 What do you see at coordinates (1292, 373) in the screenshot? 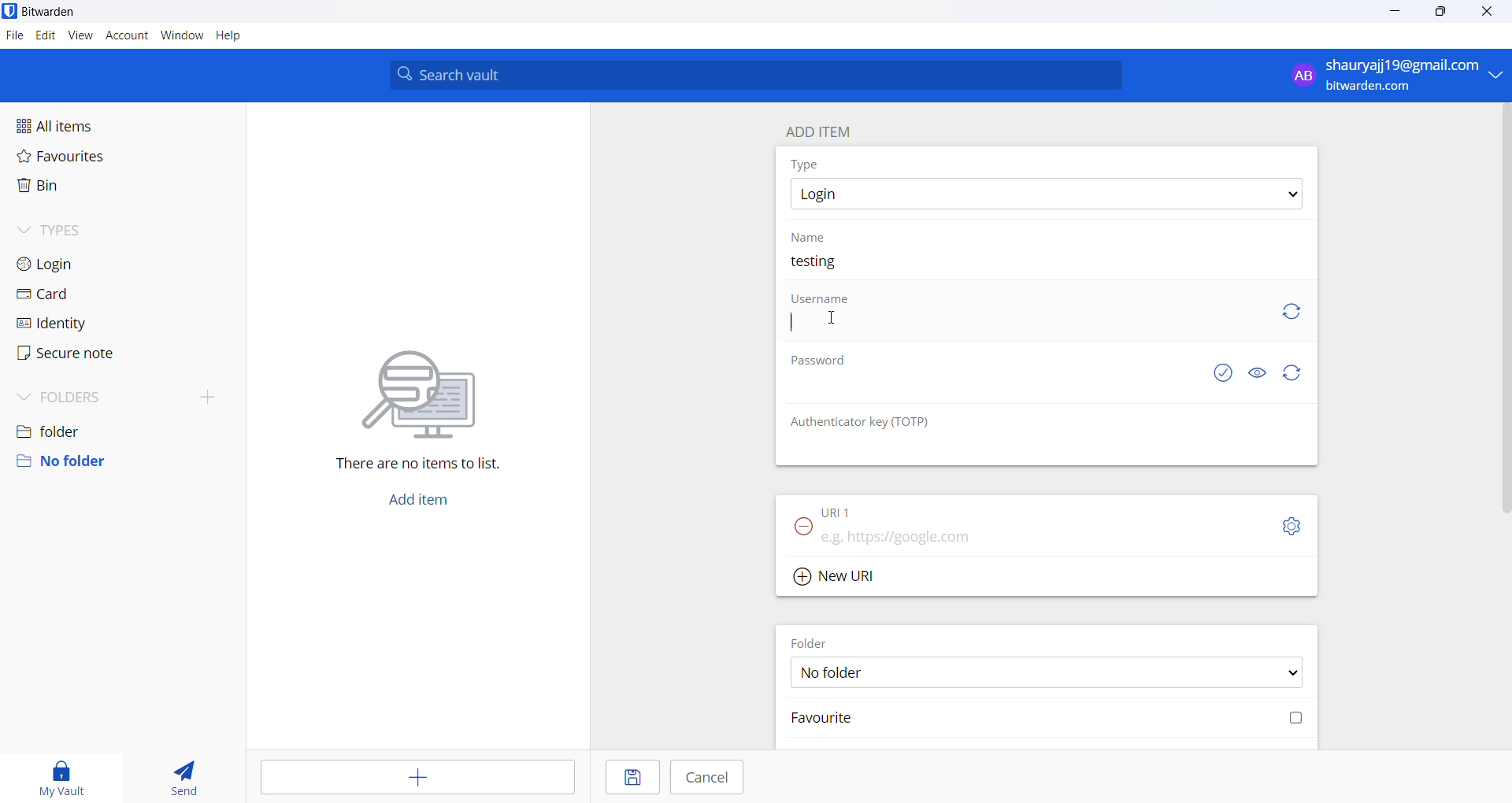
I see `refresh` at bounding box center [1292, 373].